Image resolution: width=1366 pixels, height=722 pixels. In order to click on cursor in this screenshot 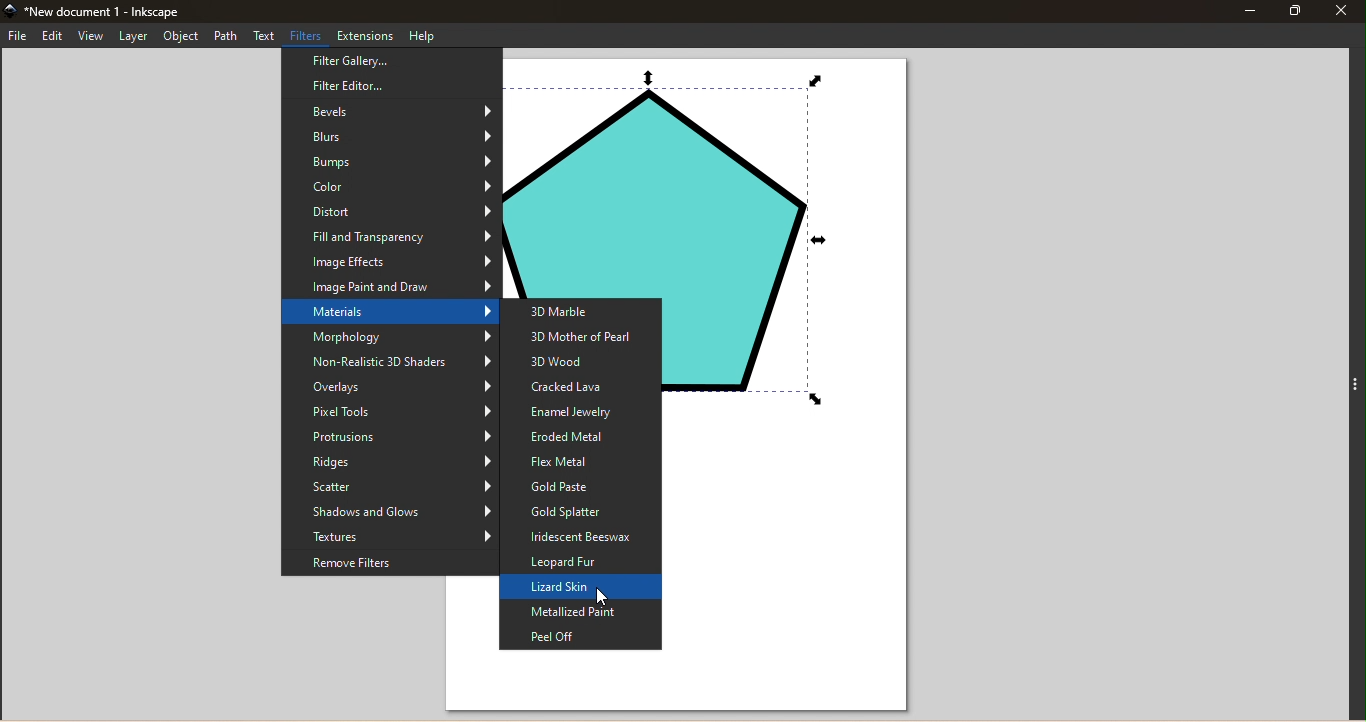, I will do `click(603, 597)`.